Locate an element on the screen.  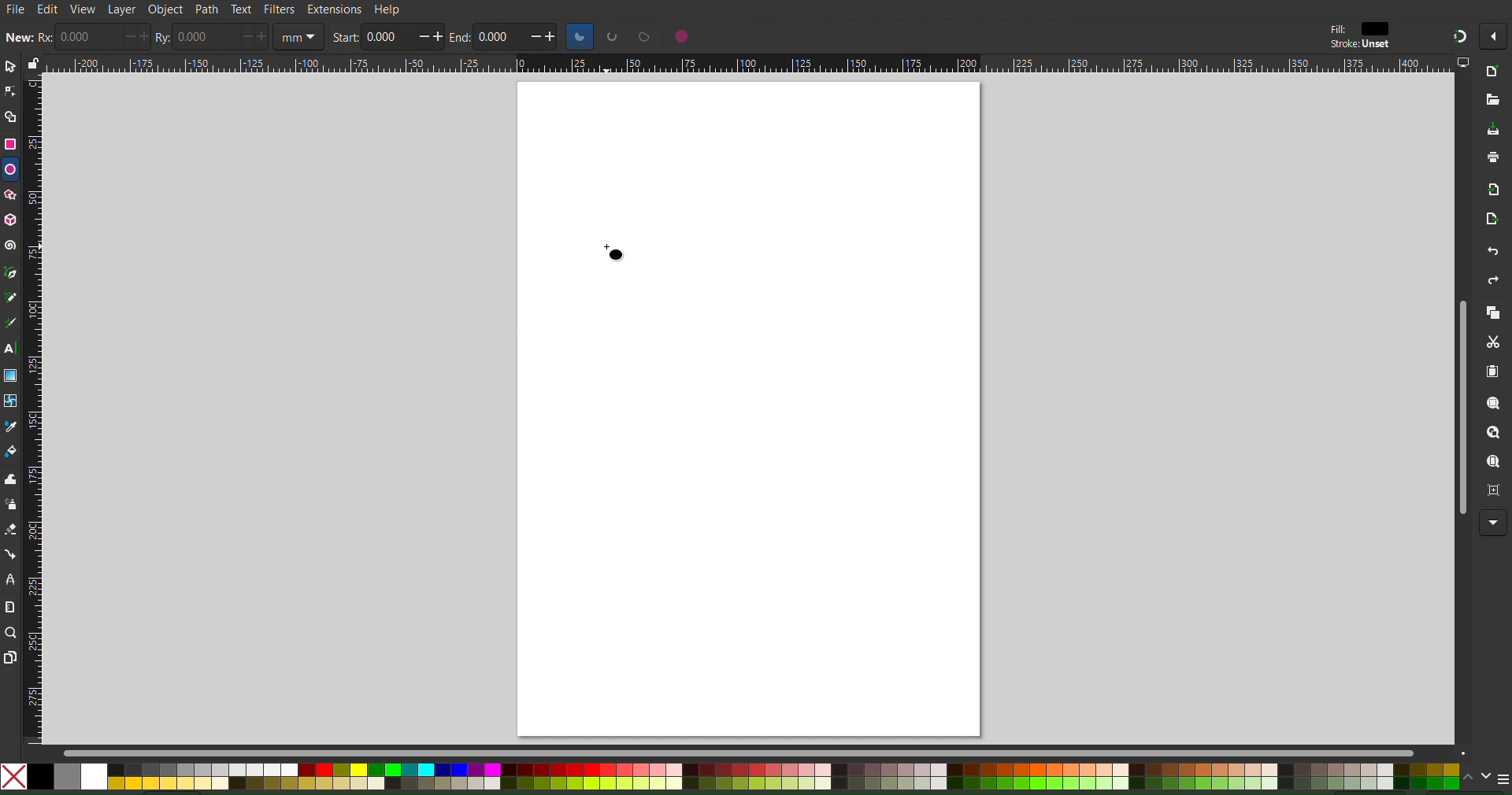
circle options is located at coordinates (681, 36).